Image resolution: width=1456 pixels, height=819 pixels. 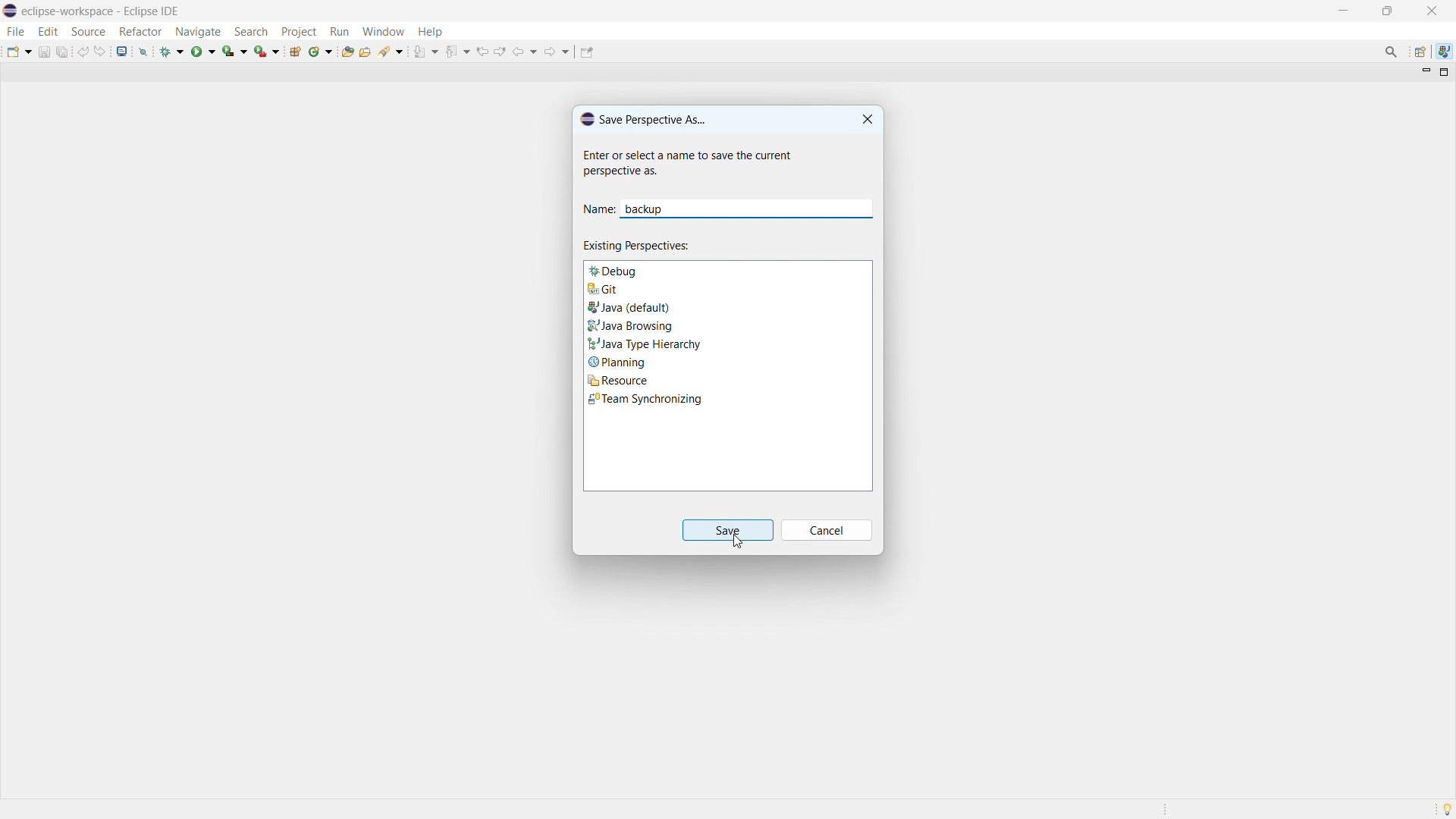 I want to click on file, so click(x=17, y=32).